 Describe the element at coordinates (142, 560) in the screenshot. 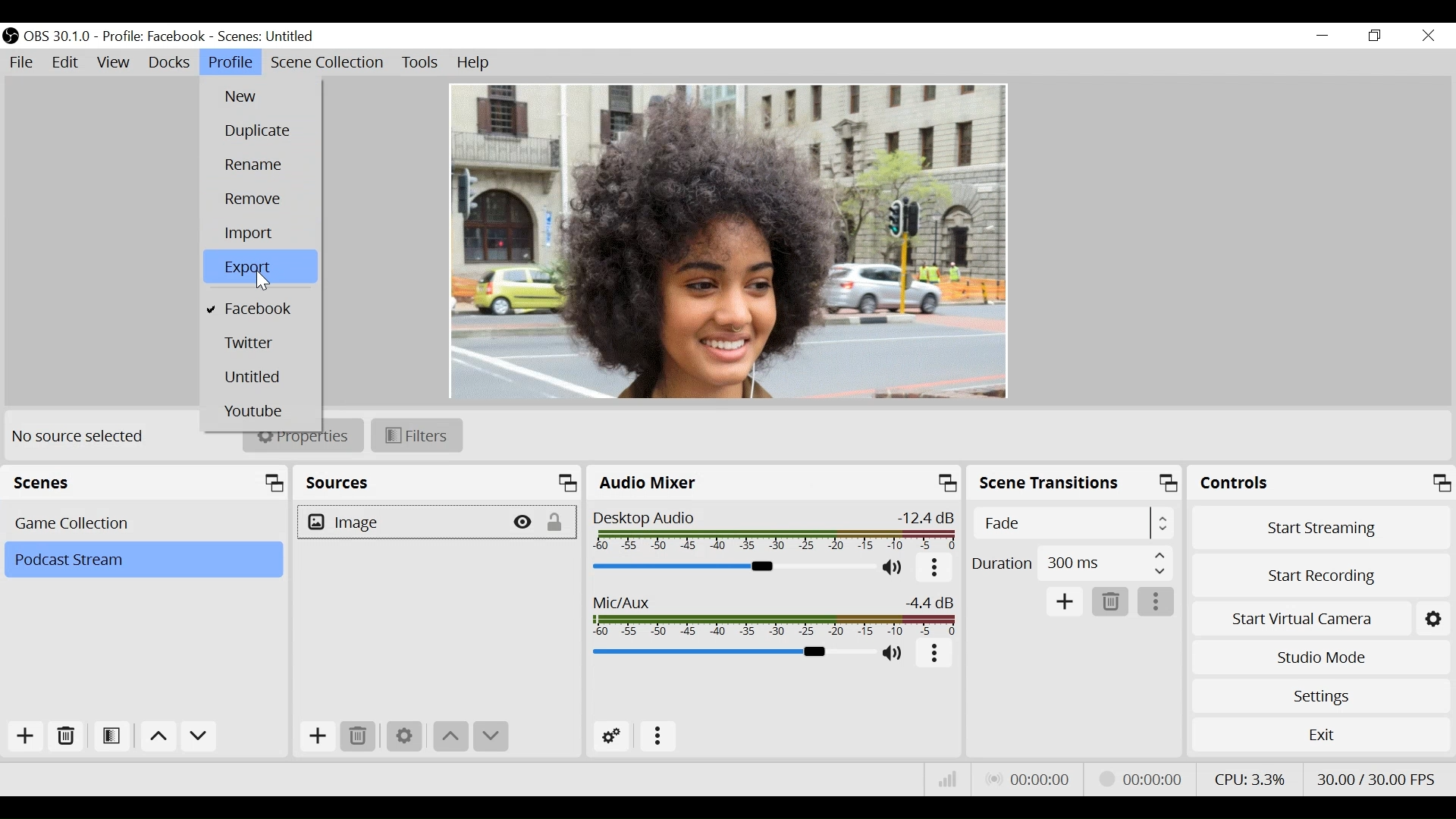

I see `Scene ` at that location.